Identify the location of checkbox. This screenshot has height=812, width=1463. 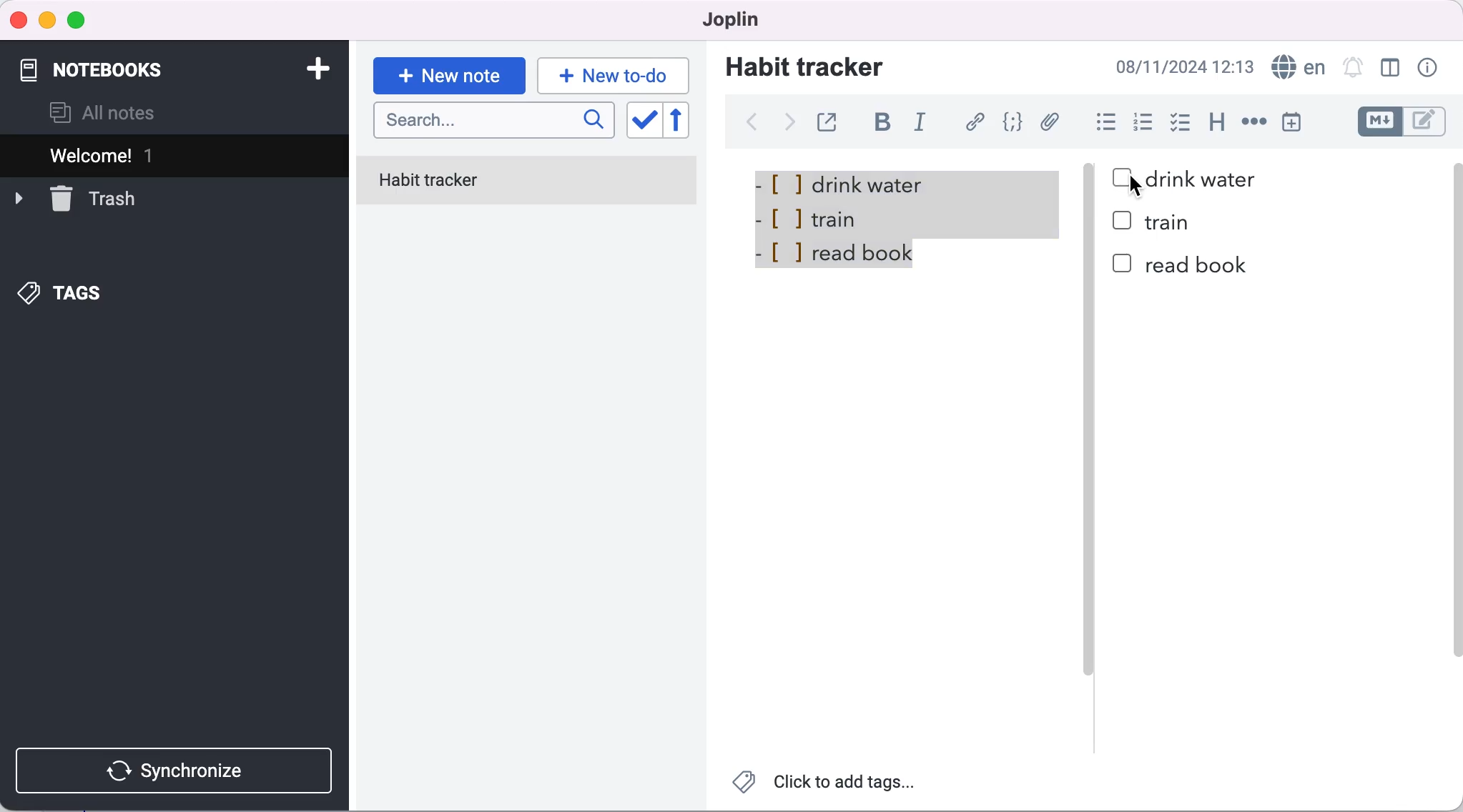
(1181, 117).